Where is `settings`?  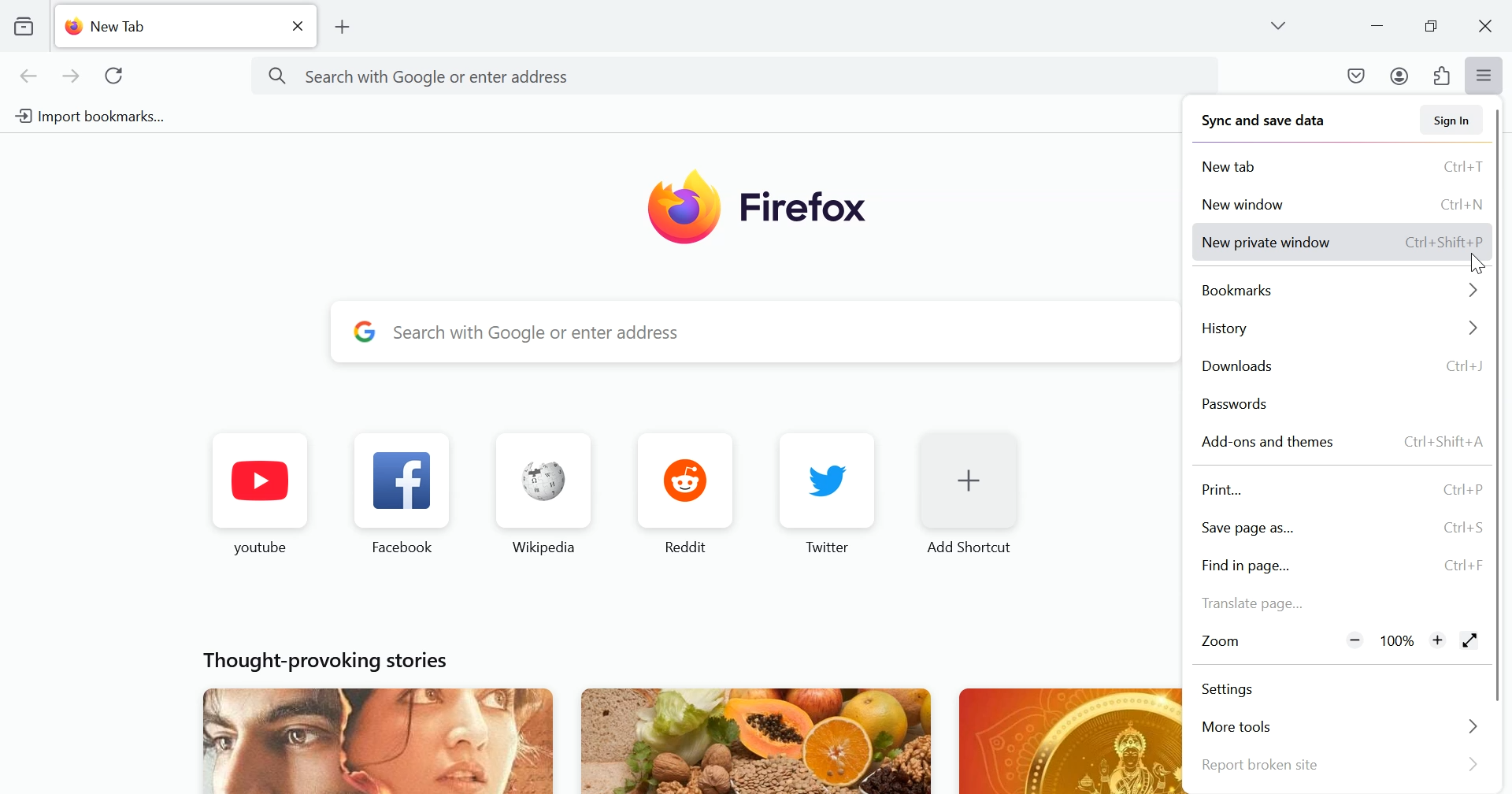
settings is located at coordinates (1338, 692).